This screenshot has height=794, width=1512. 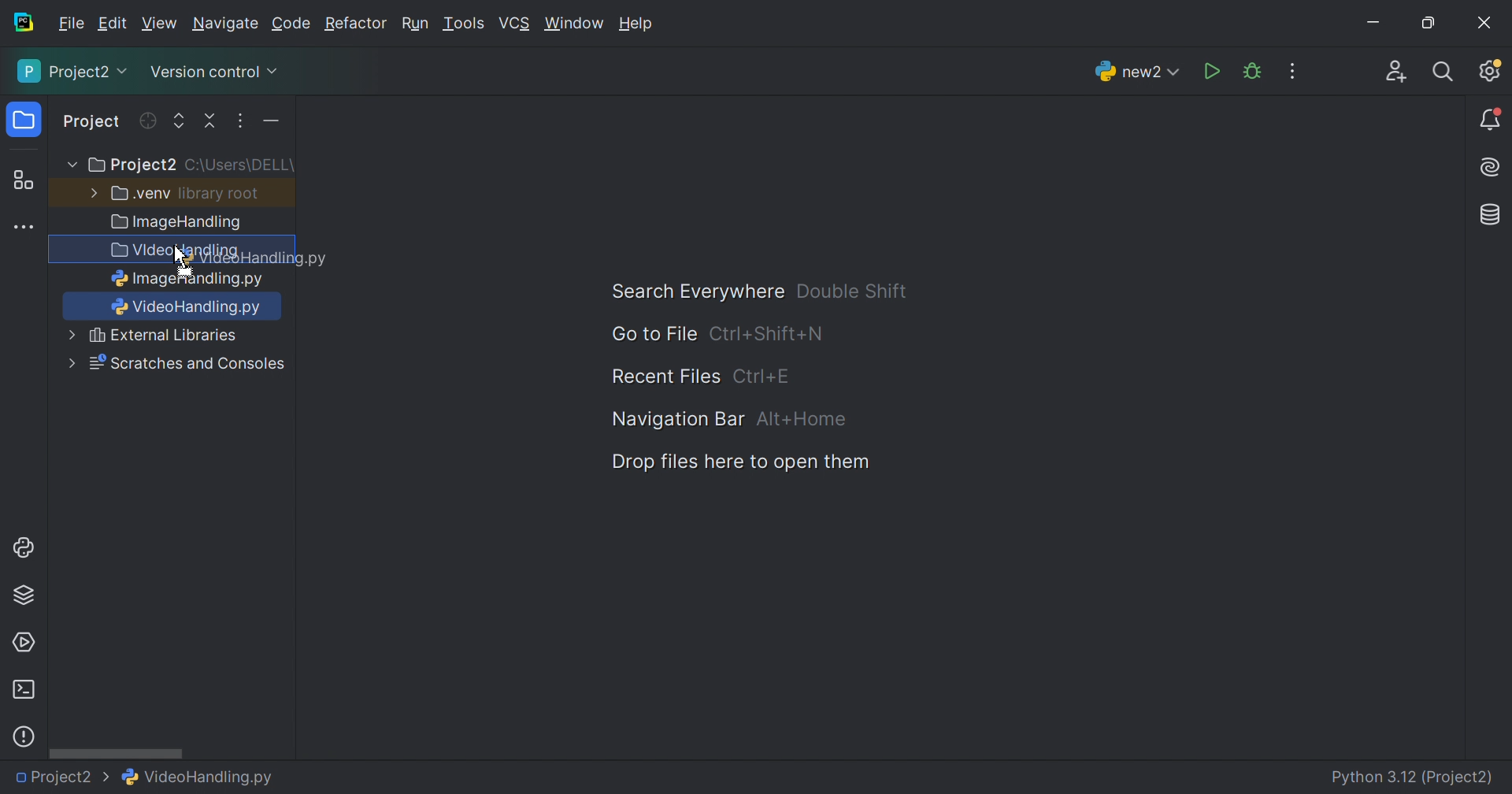 What do you see at coordinates (1378, 25) in the screenshot?
I see `Minimize` at bounding box center [1378, 25].